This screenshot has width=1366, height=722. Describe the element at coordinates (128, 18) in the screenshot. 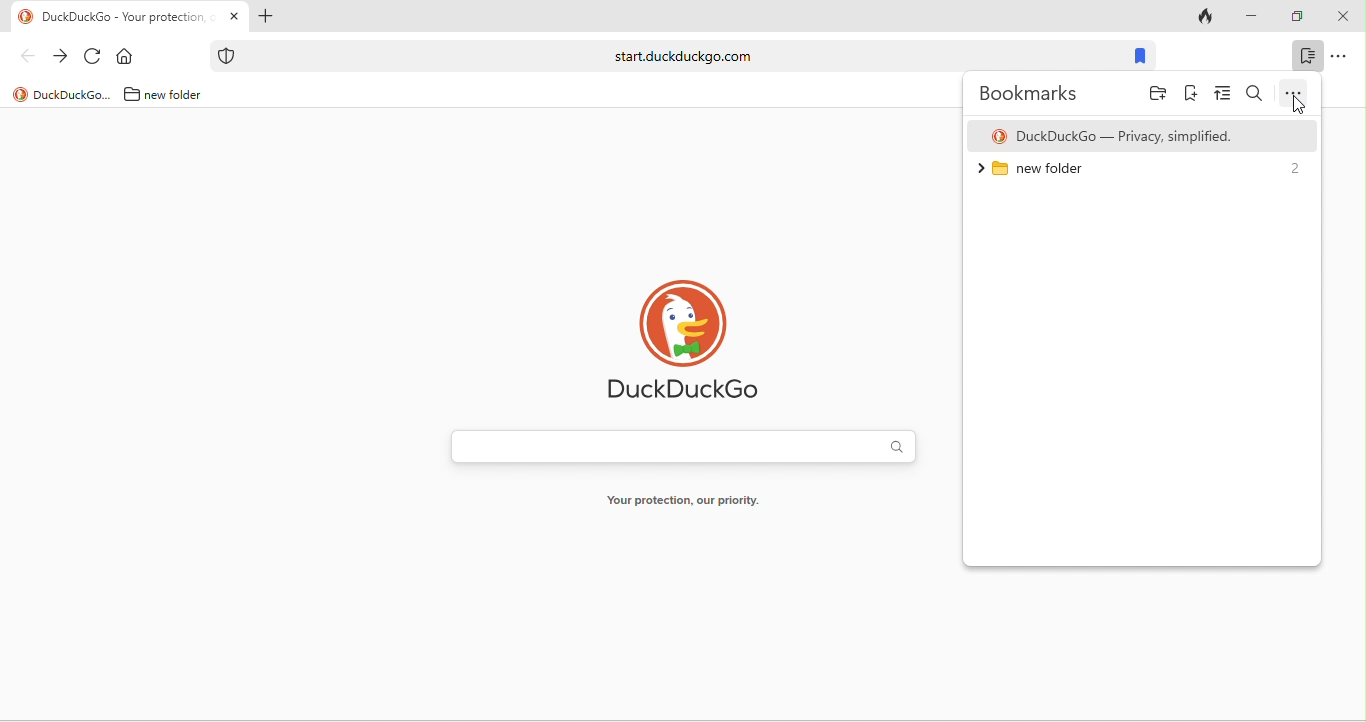

I see `DuckDuckGo - Your protection` at that location.